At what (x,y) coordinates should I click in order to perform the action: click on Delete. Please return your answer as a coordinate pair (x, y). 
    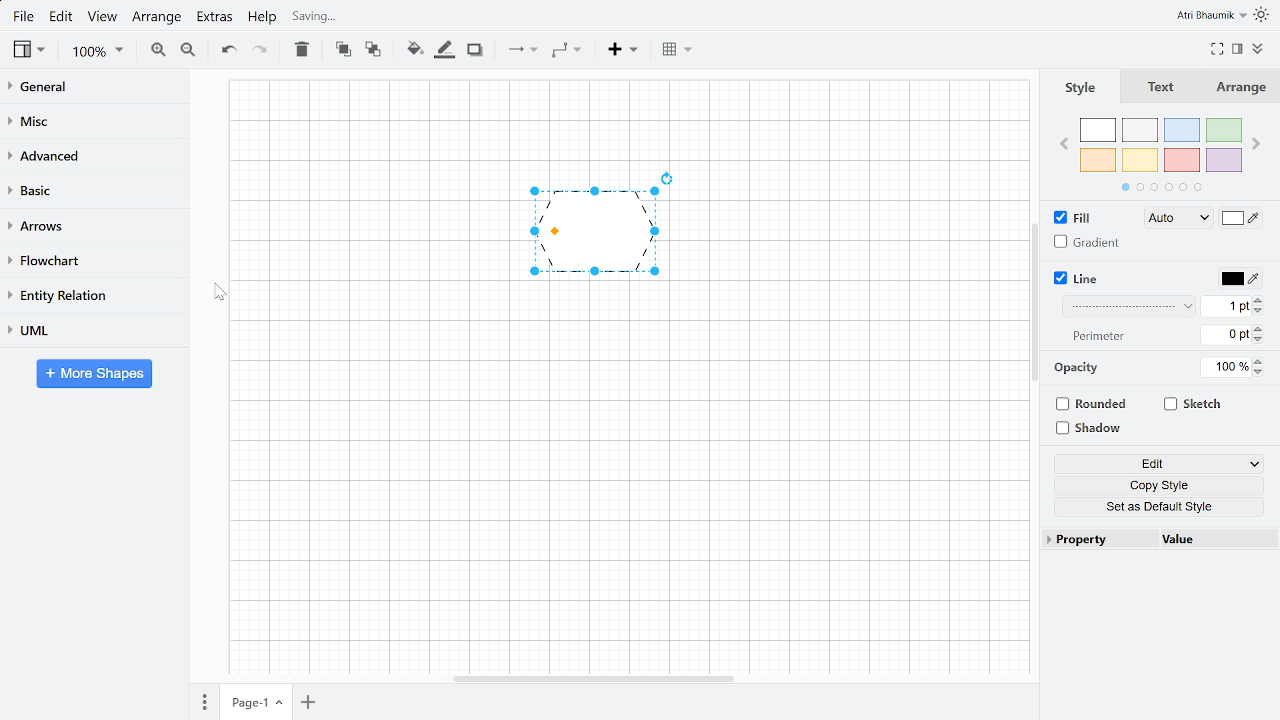
    Looking at the image, I should click on (302, 51).